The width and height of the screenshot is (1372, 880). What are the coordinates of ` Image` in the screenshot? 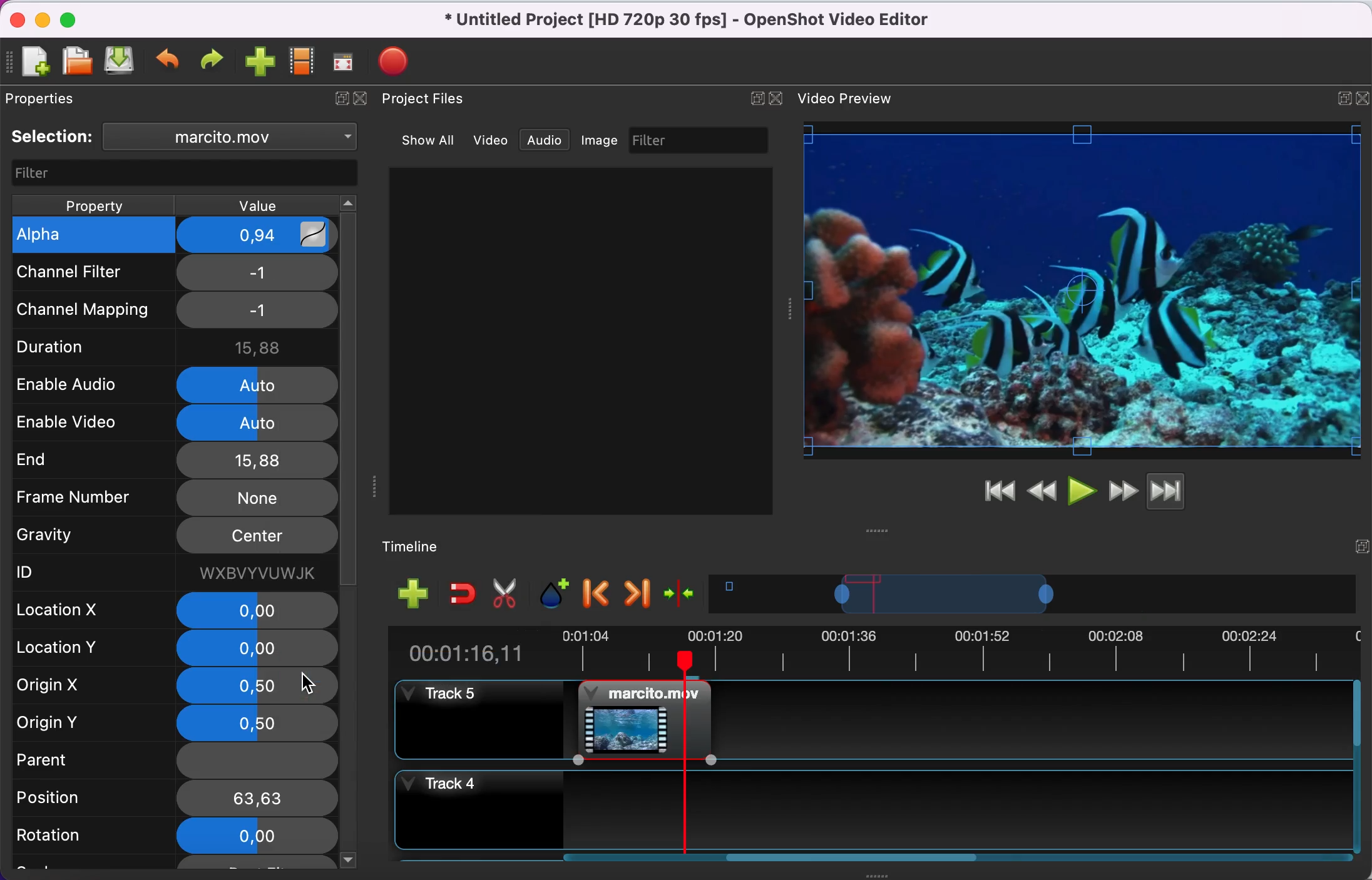 It's located at (598, 140).